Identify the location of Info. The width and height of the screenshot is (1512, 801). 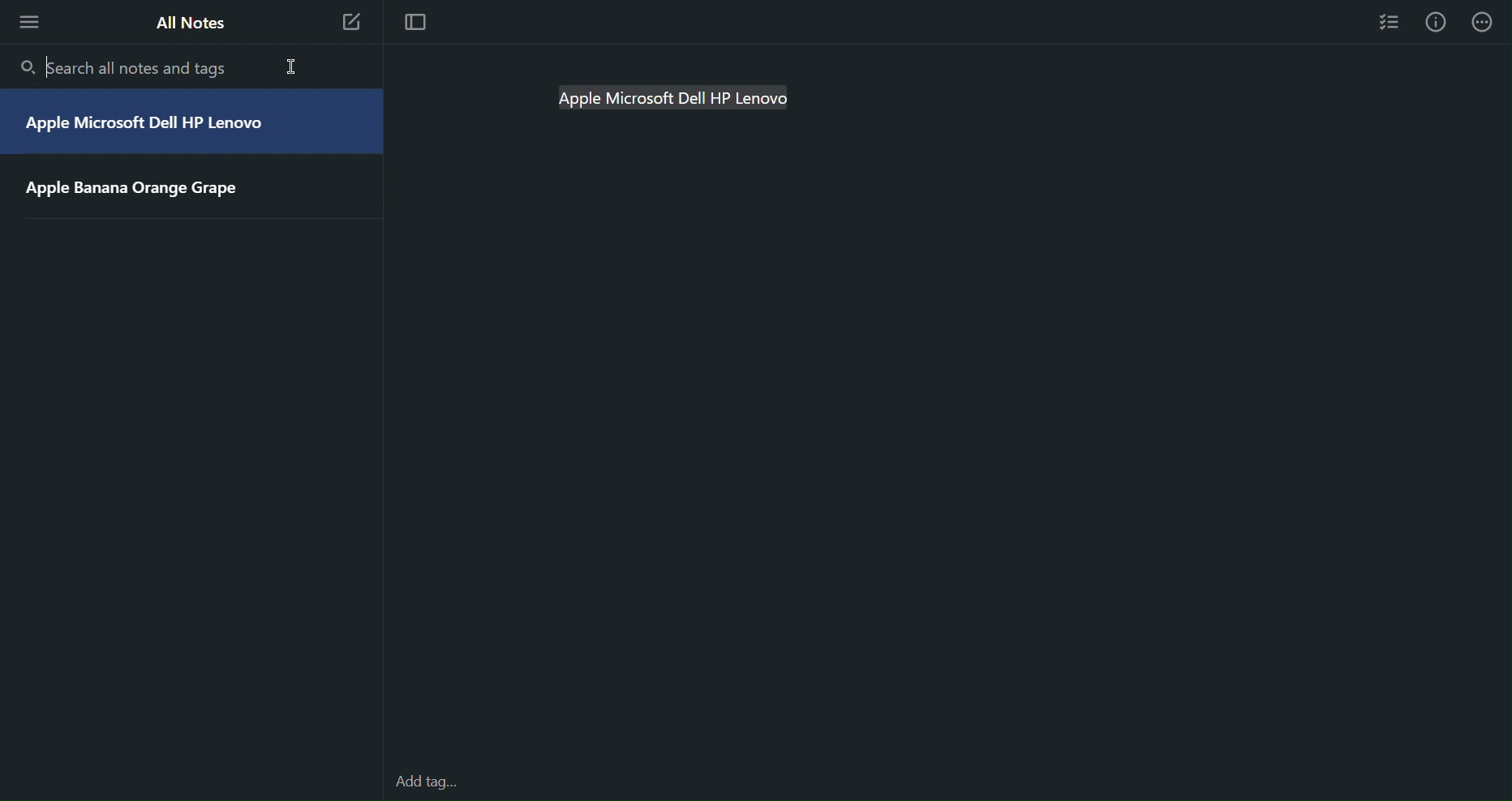
(1441, 23).